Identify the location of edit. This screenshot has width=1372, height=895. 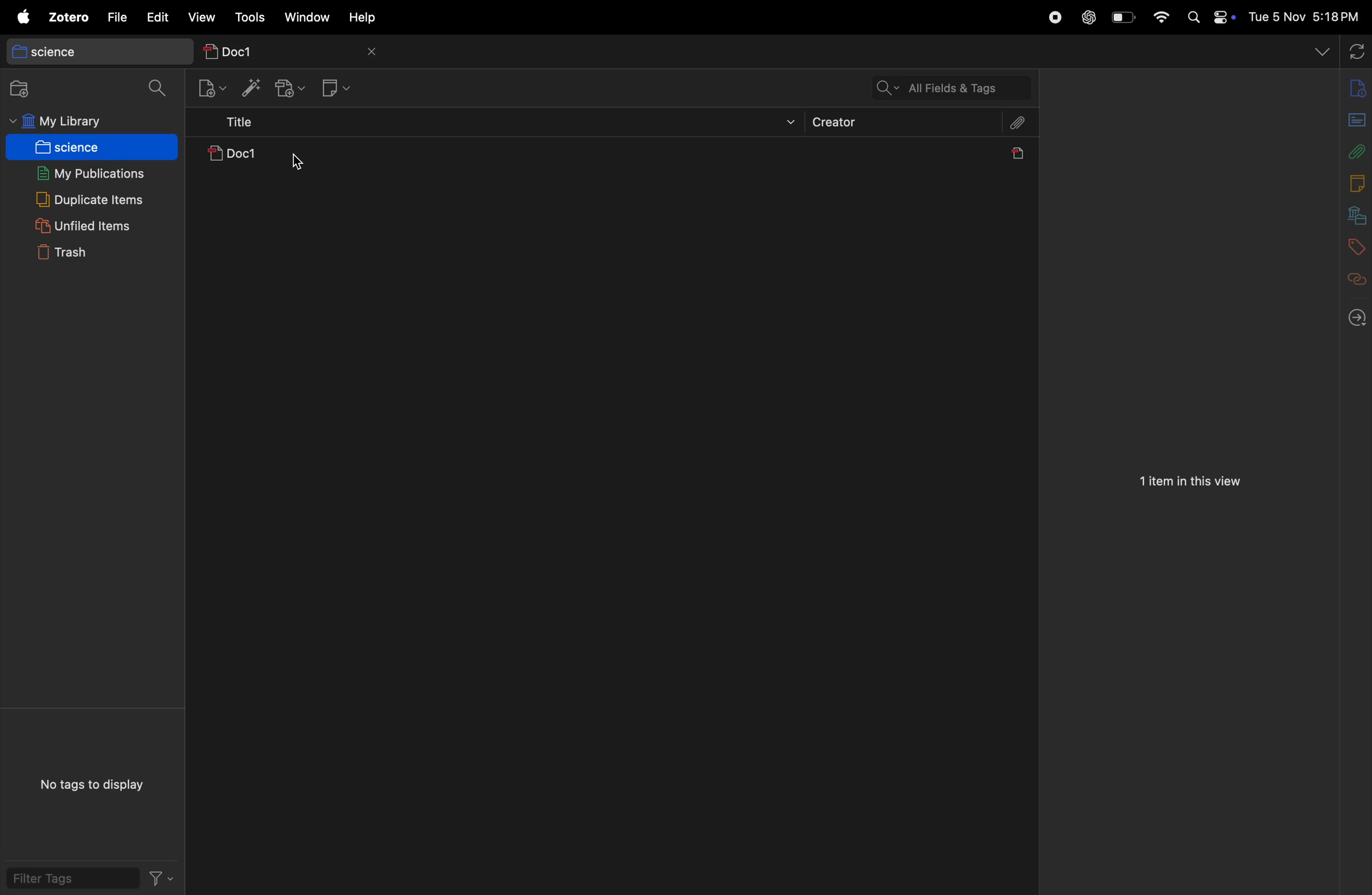
(158, 17).